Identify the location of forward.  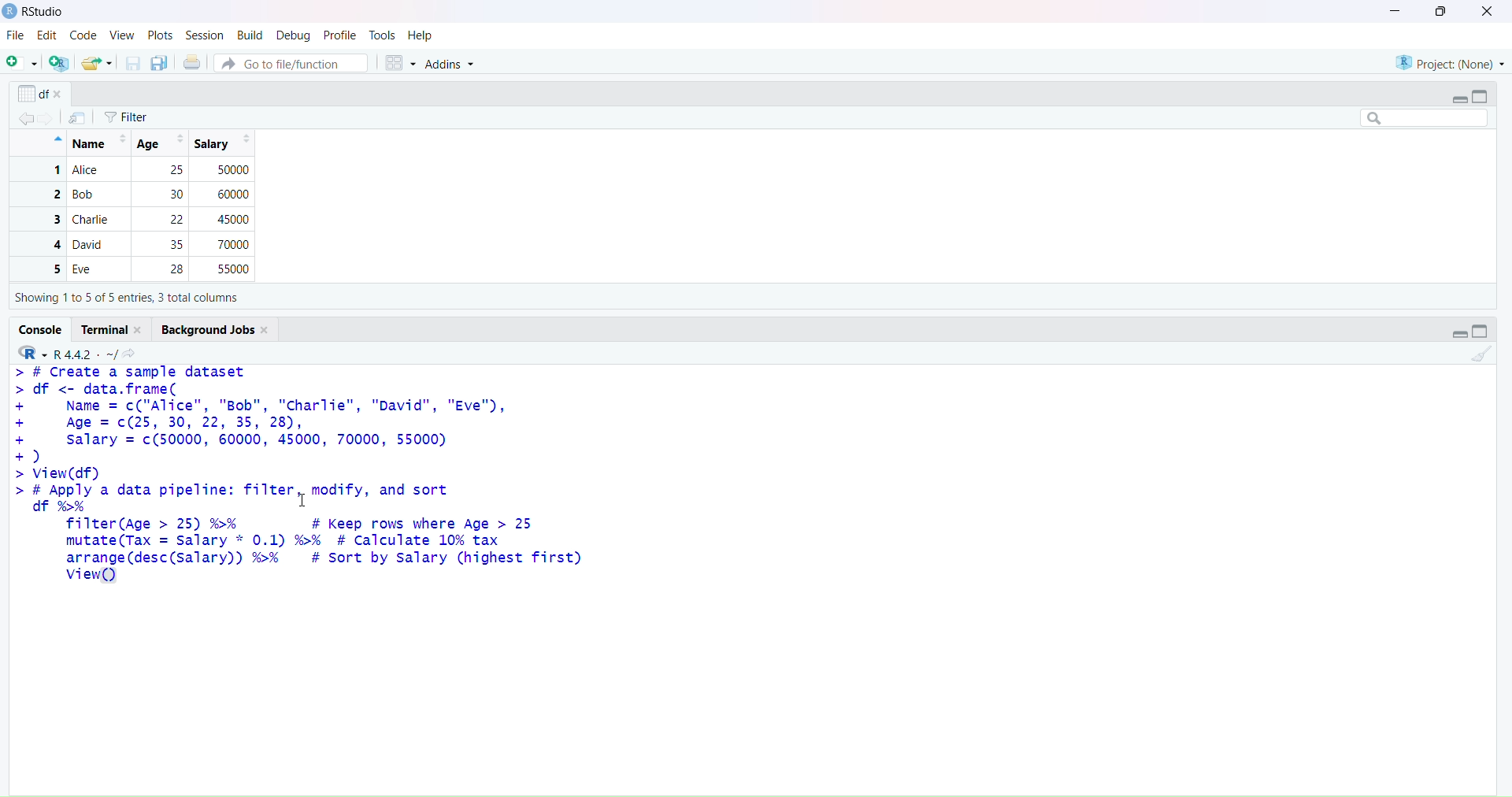
(50, 118).